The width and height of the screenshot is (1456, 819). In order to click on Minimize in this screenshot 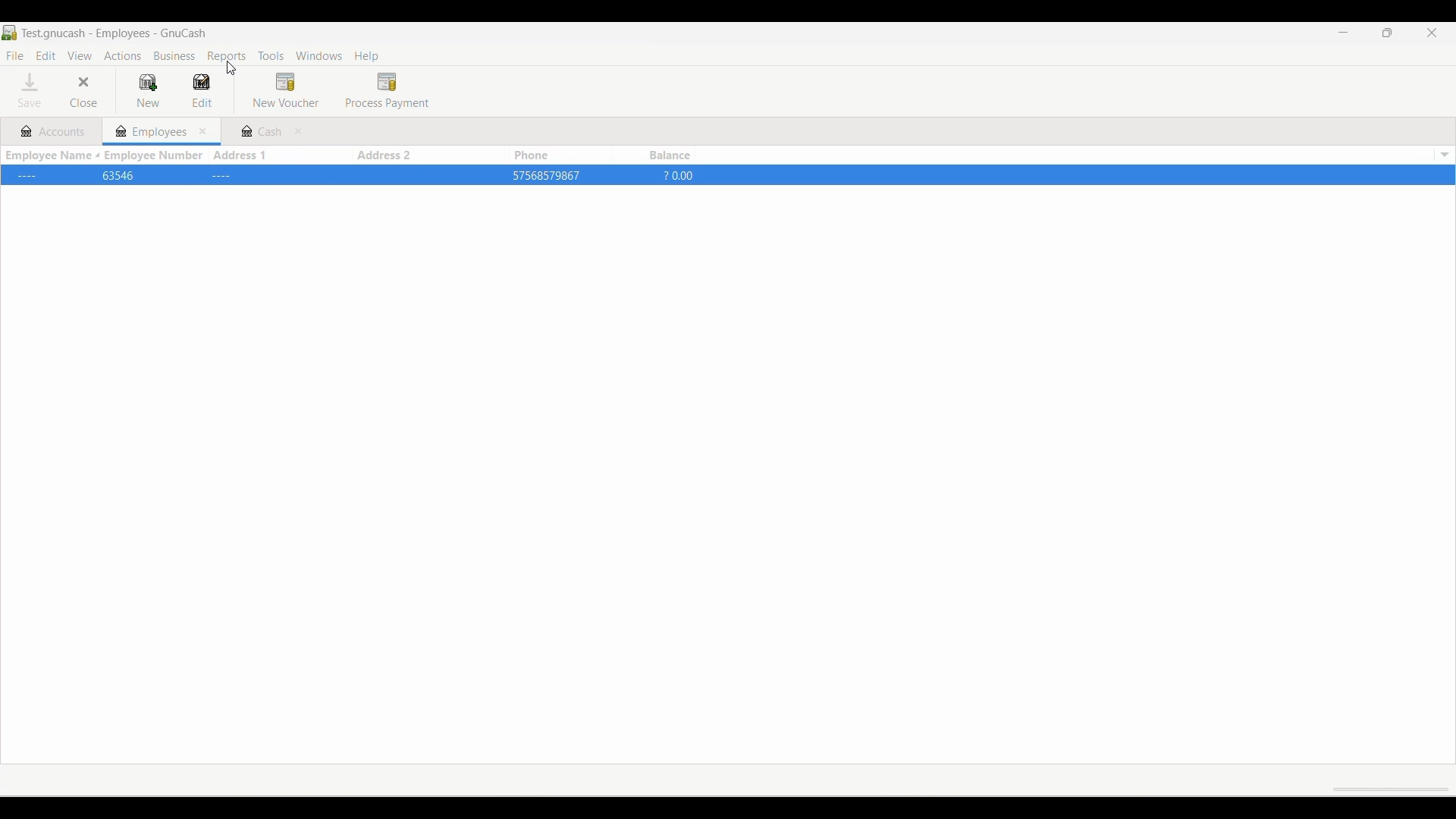, I will do `click(1343, 33)`.